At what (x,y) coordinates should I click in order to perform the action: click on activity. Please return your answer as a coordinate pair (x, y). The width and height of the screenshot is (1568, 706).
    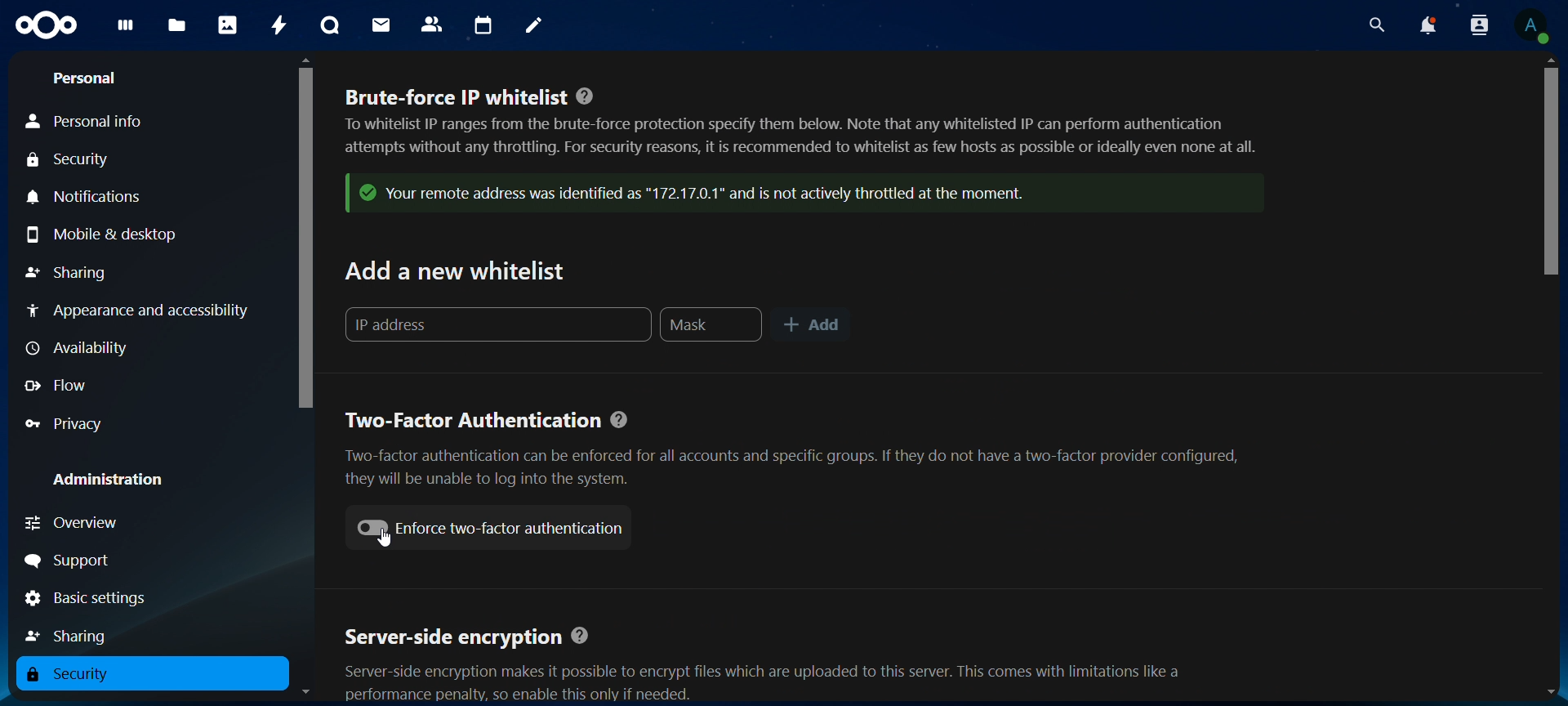
    Looking at the image, I should click on (280, 25).